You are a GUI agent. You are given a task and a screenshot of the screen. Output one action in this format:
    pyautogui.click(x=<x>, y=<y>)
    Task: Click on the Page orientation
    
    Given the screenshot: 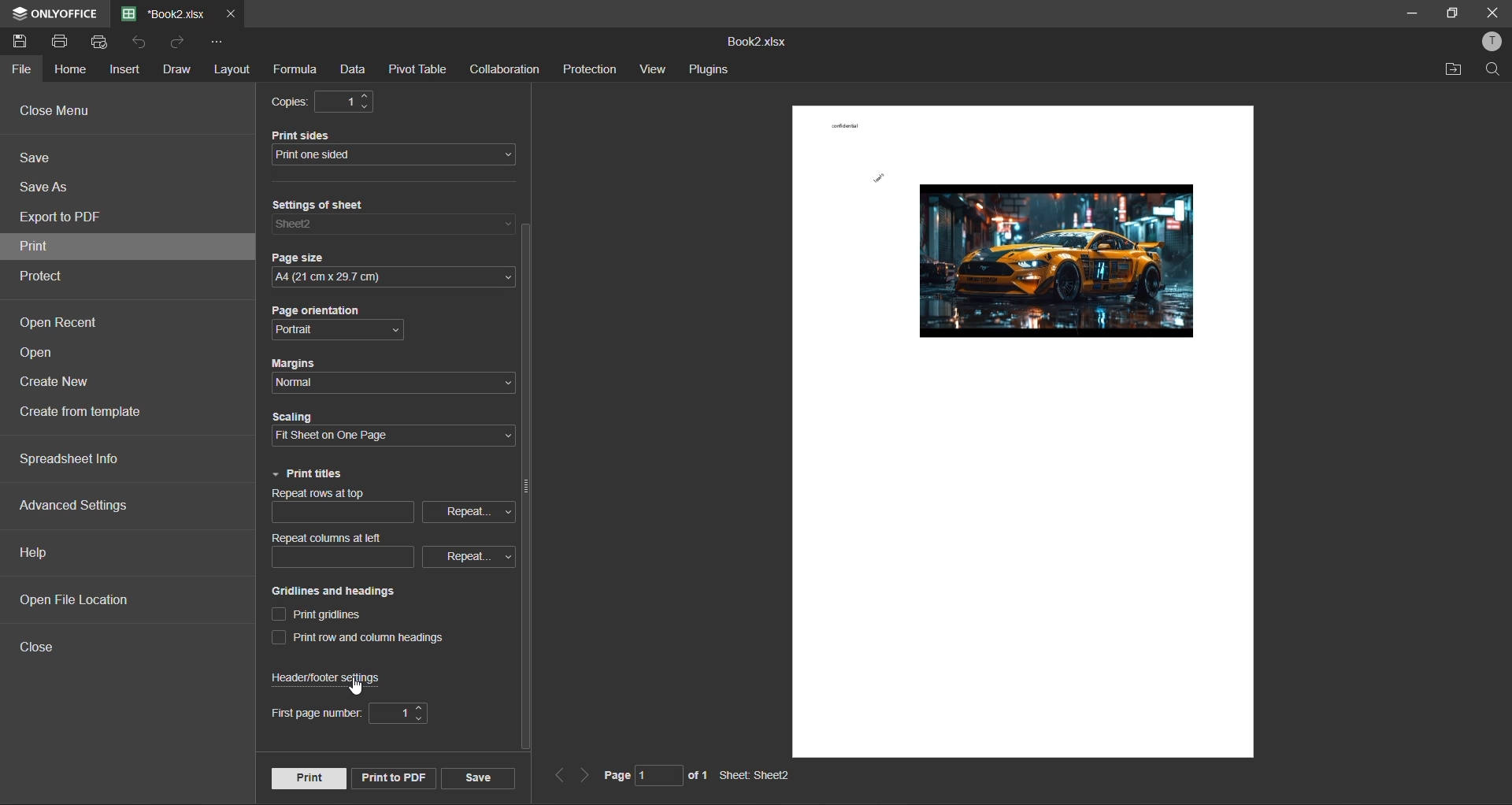 What is the action you would take?
    pyautogui.click(x=314, y=310)
    